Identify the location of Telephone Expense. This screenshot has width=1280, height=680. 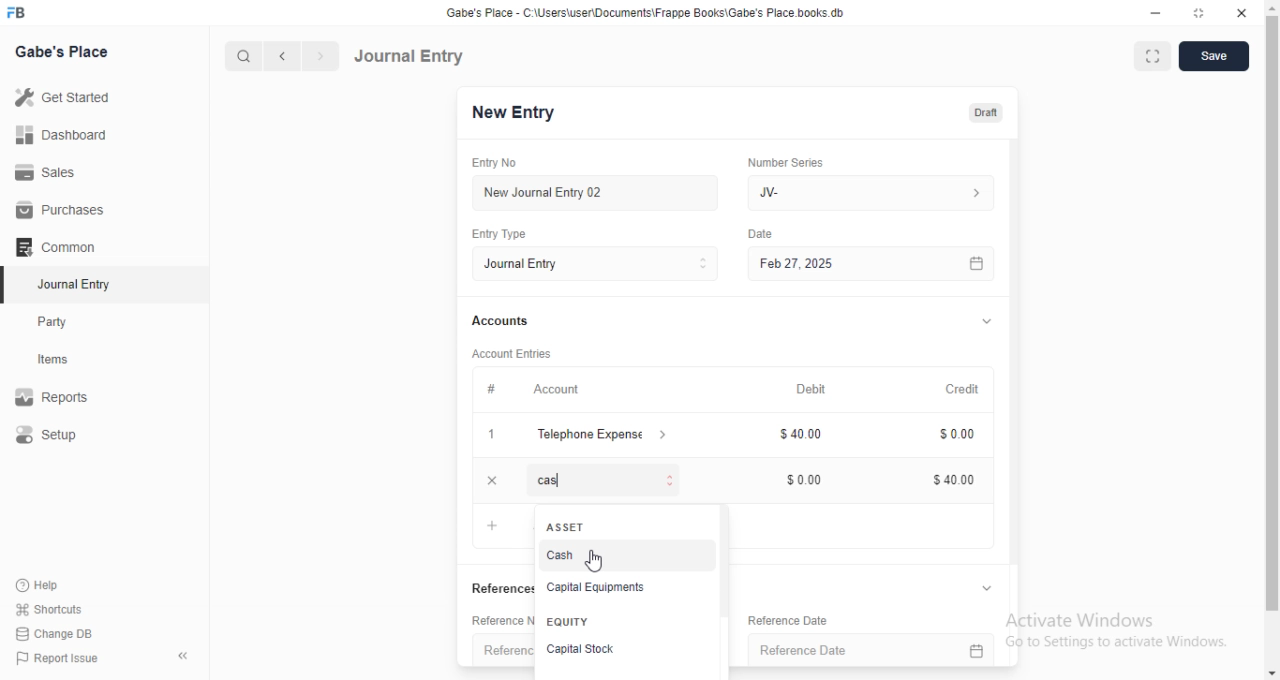
(611, 433).